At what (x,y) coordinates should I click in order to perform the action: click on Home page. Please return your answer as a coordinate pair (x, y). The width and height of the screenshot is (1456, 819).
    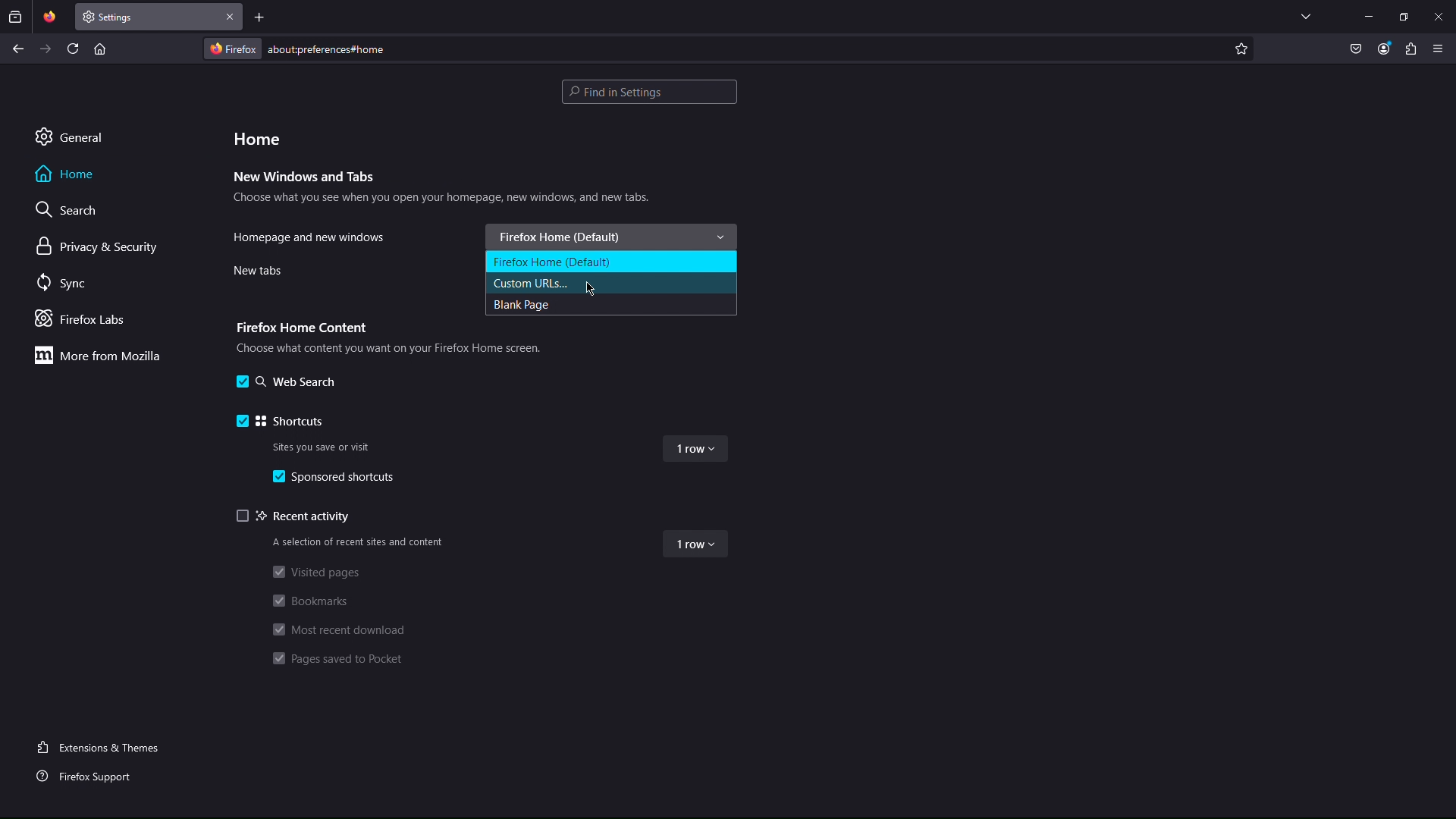
    Looking at the image, I should click on (99, 48).